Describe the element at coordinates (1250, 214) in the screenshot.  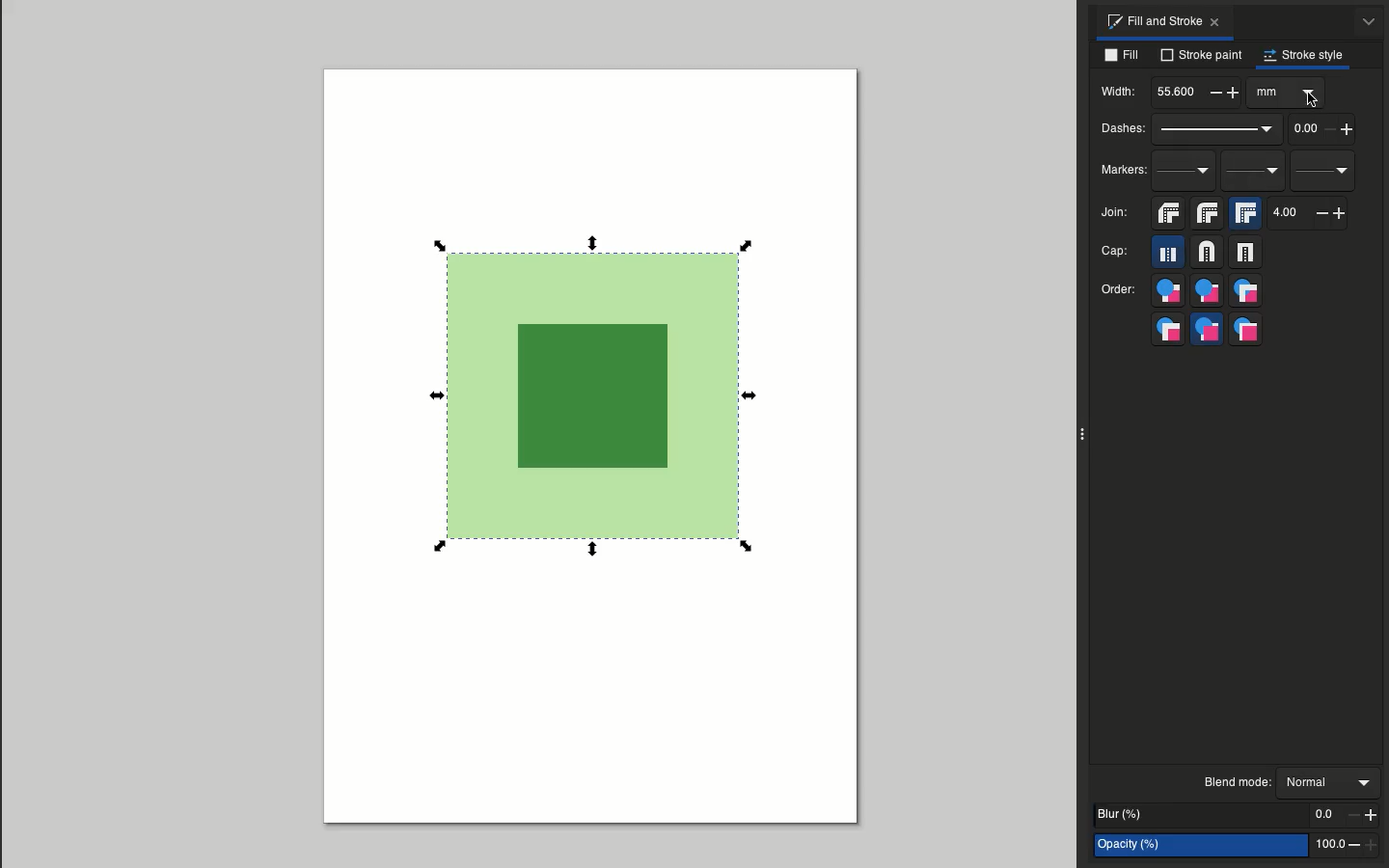
I see `Miter join` at that location.